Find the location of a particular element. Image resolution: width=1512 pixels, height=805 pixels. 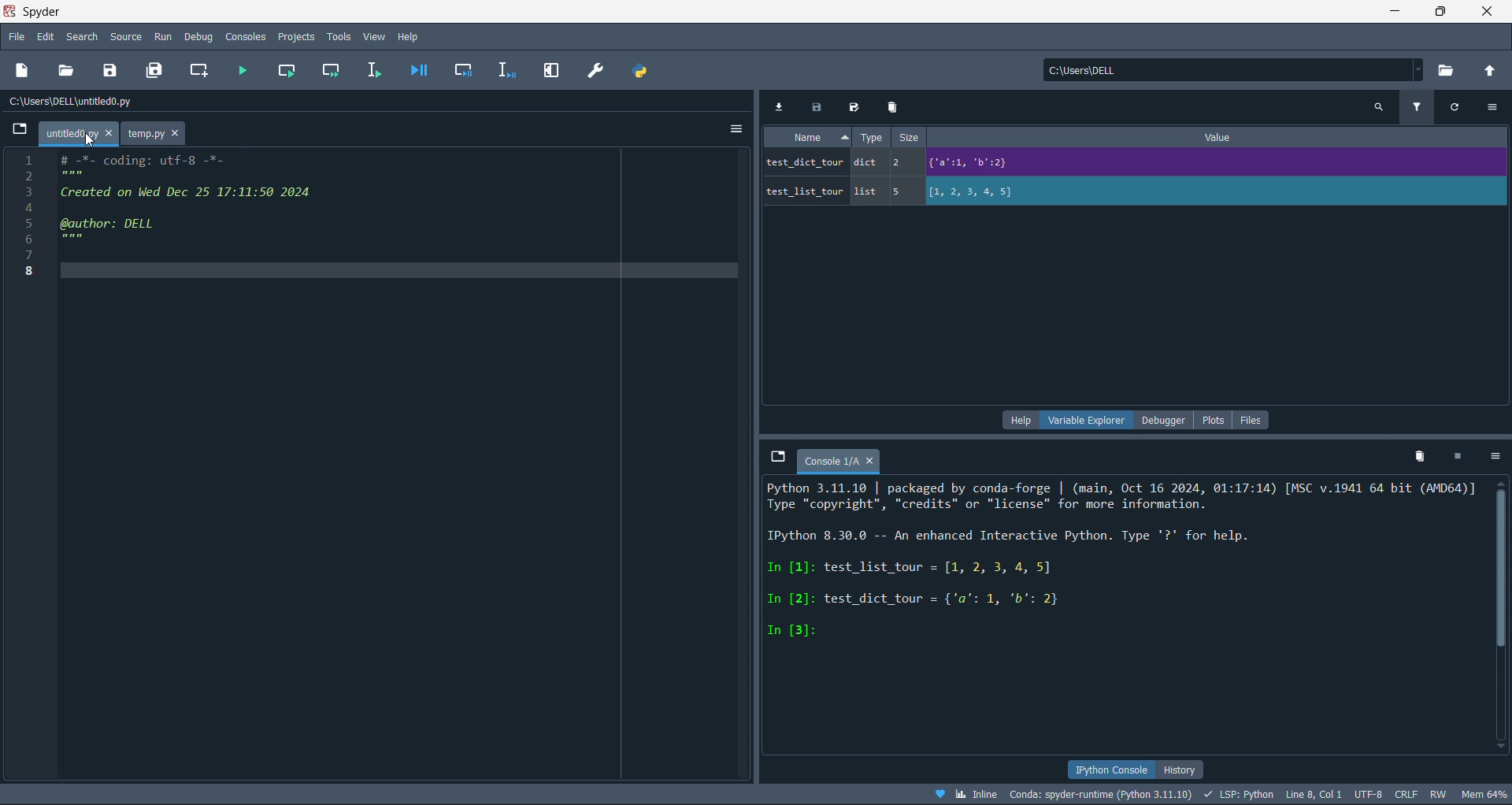

minimiize is located at coordinates (1392, 12).